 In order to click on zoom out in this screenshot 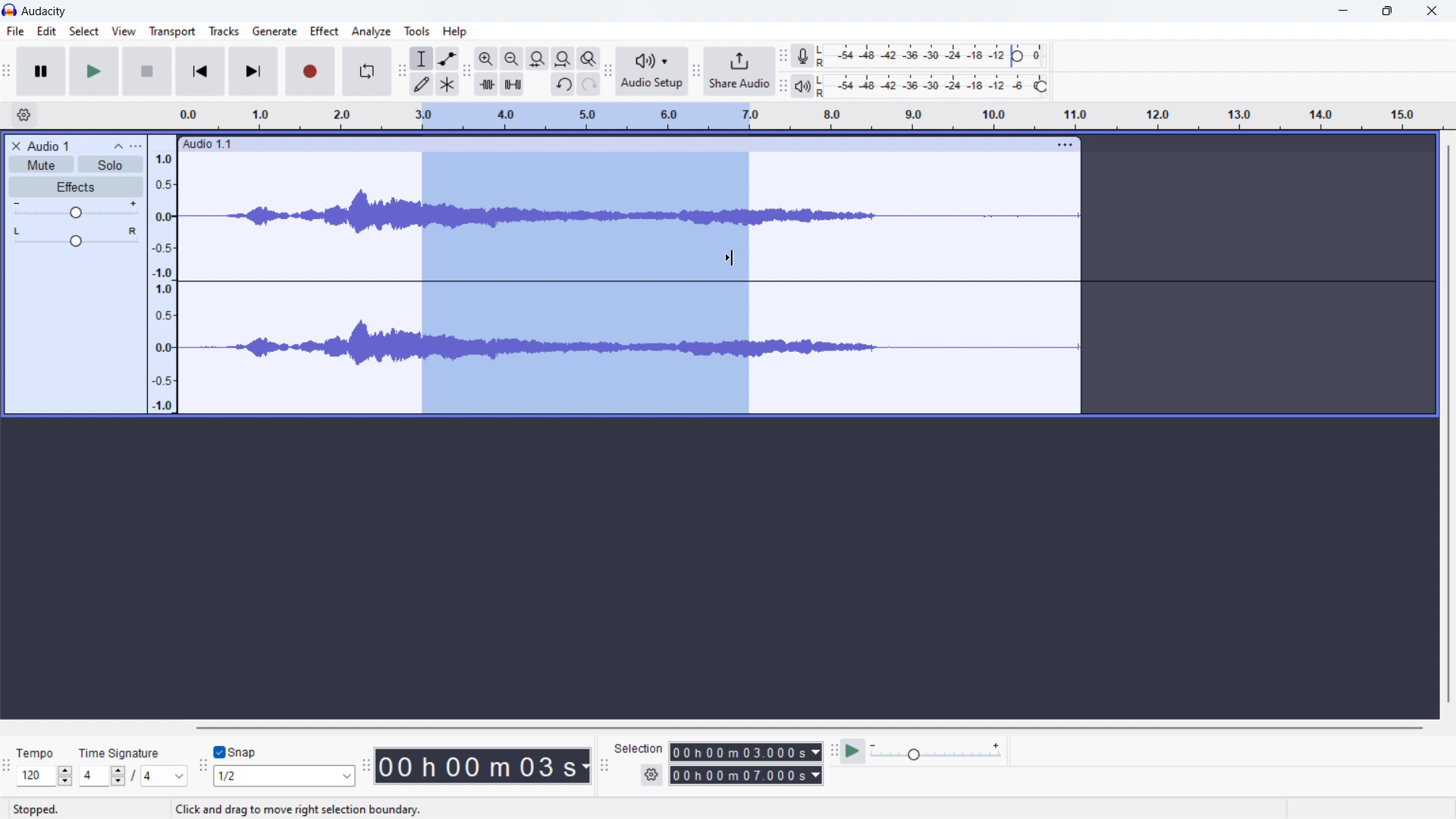, I will do `click(510, 58)`.